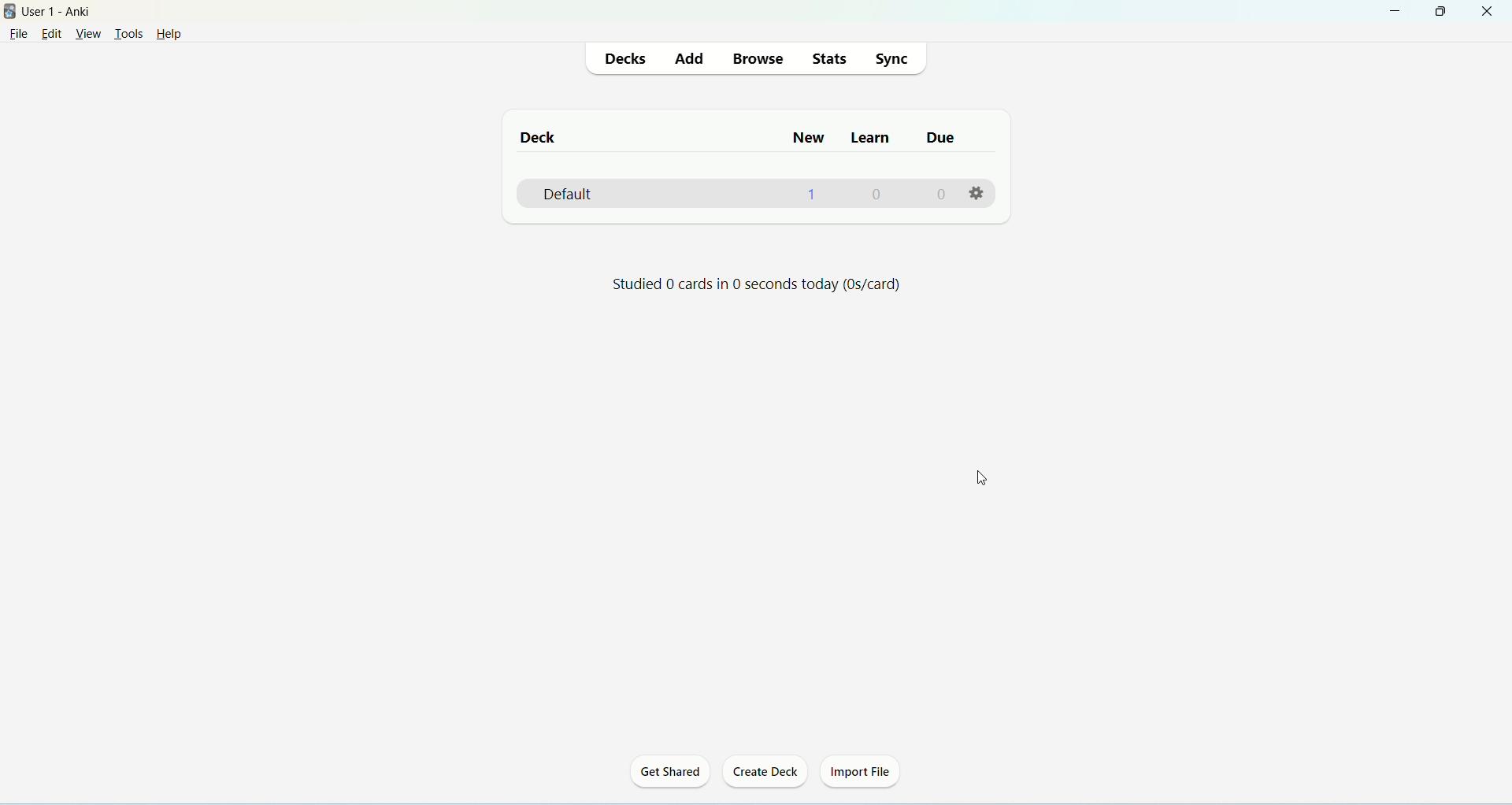  What do you see at coordinates (943, 195) in the screenshot?
I see `0` at bounding box center [943, 195].